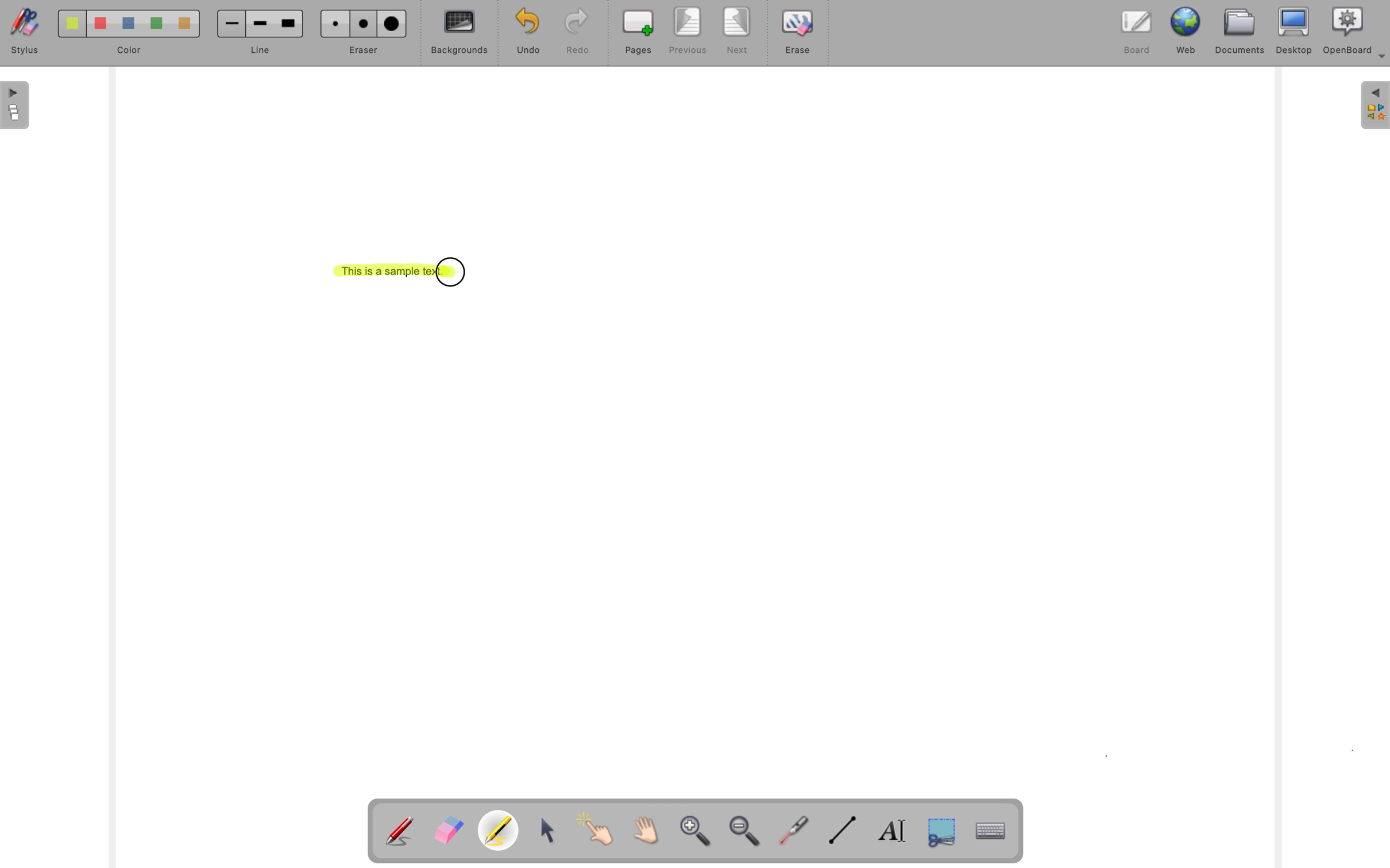 This screenshot has height=868, width=1390. What do you see at coordinates (698, 831) in the screenshot?
I see `zoom in` at bounding box center [698, 831].